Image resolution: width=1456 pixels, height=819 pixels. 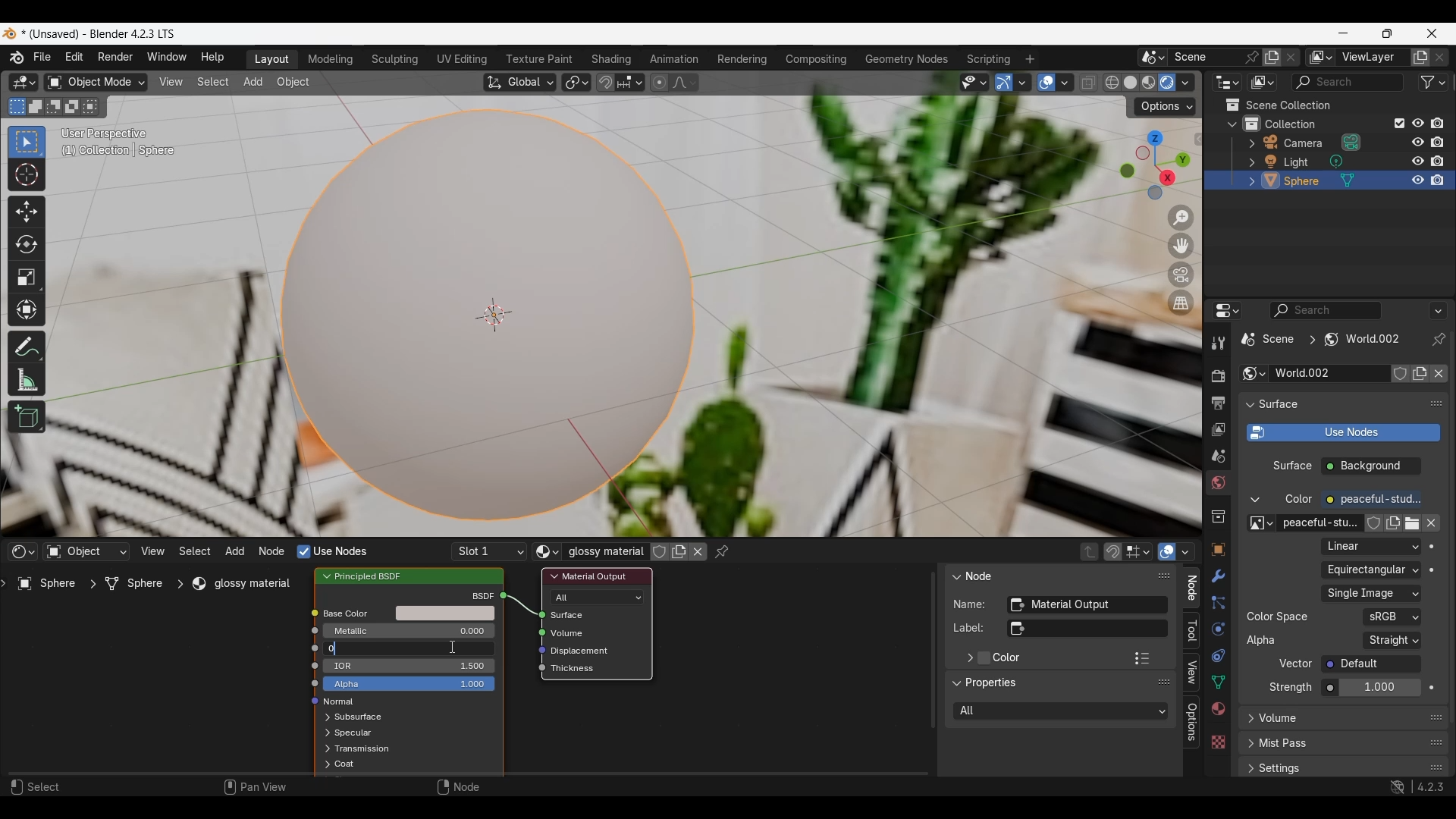 What do you see at coordinates (1232, 124) in the screenshot?
I see `Collapse` at bounding box center [1232, 124].